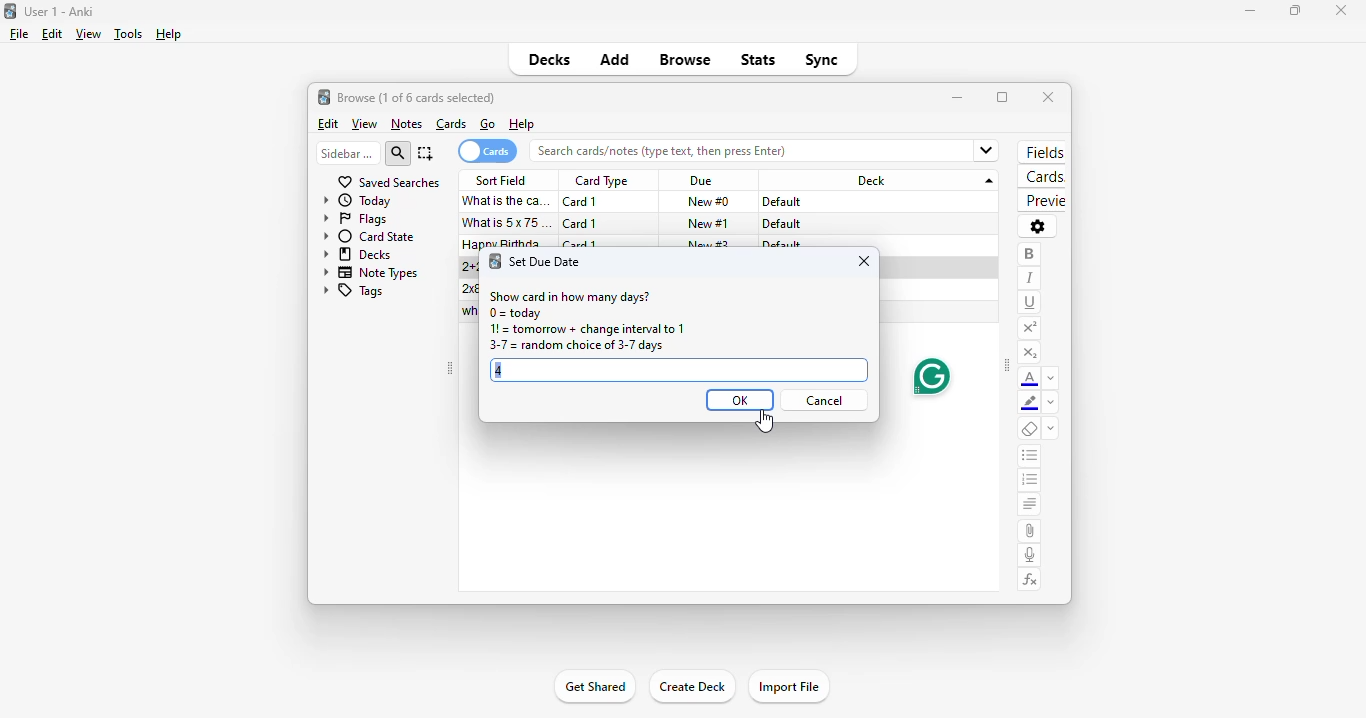 The height and width of the screenshot is (718, 1366). What do you see at coordinates (426, 153) in the screenshot?
I see `select` at bounding box center [426, 153].